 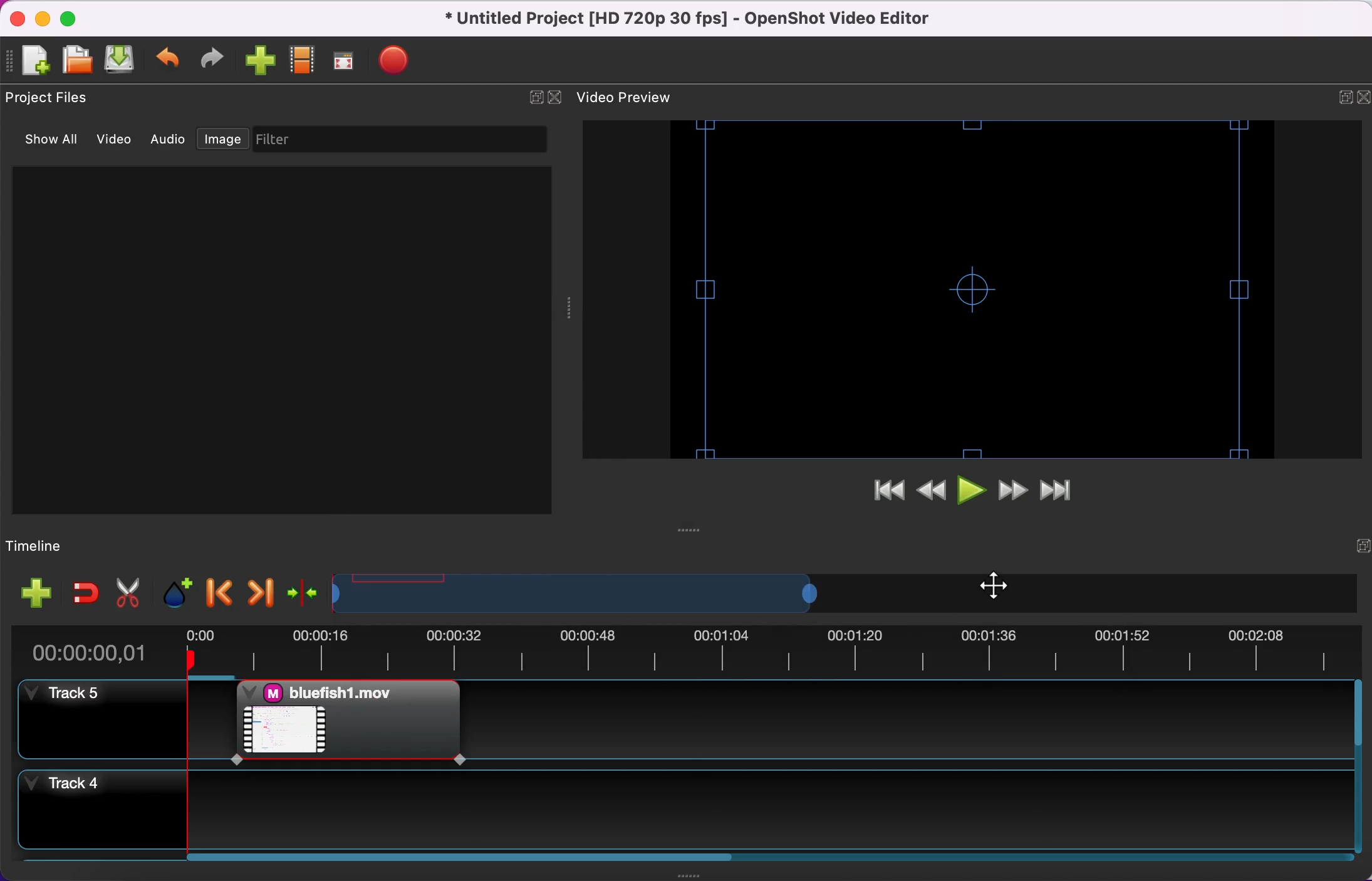 I want to click on show all, so click(x=49, y=143).